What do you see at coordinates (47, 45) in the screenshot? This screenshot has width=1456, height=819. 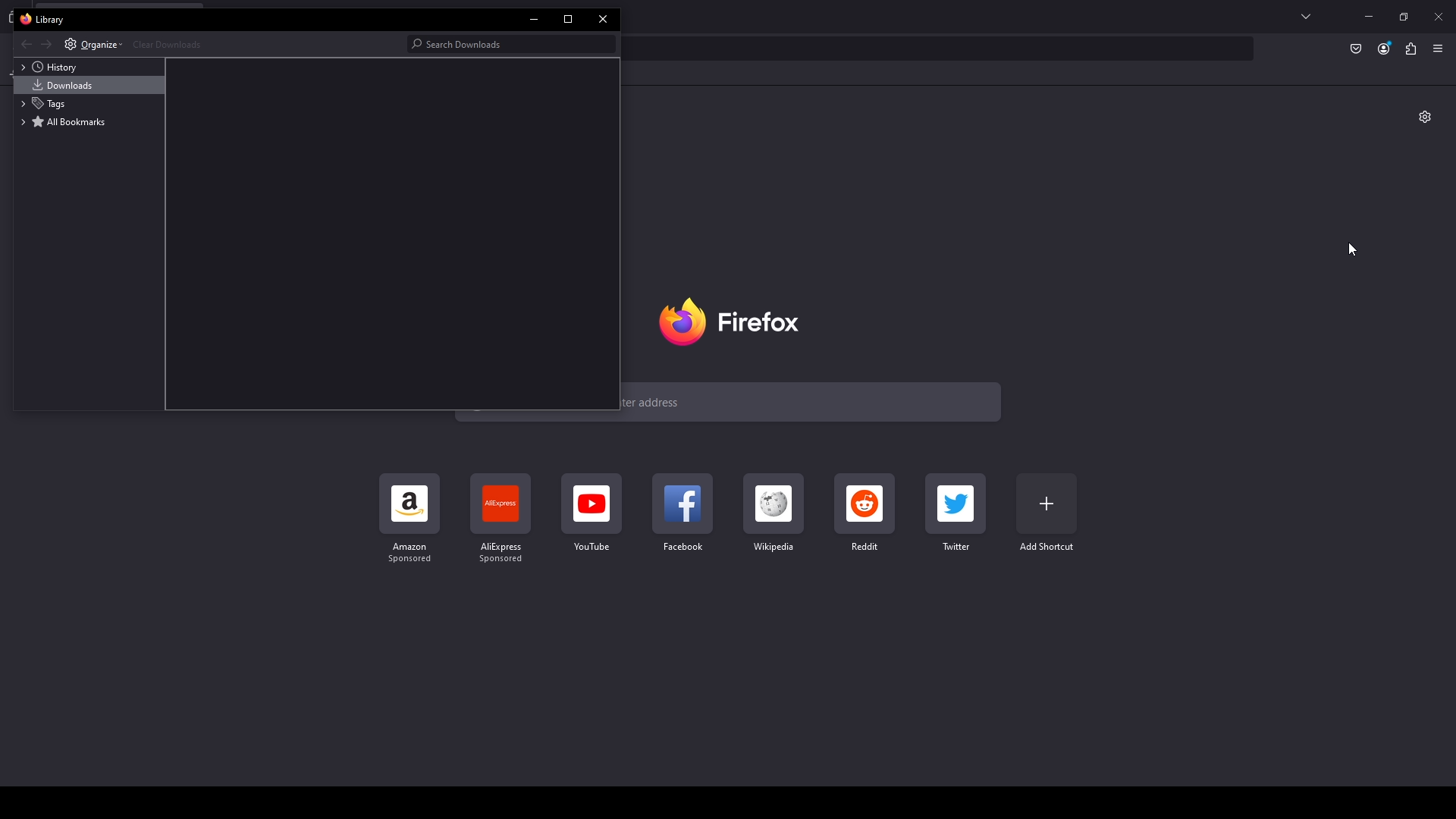 I see `Forwards` at bounding box center [47, 45].